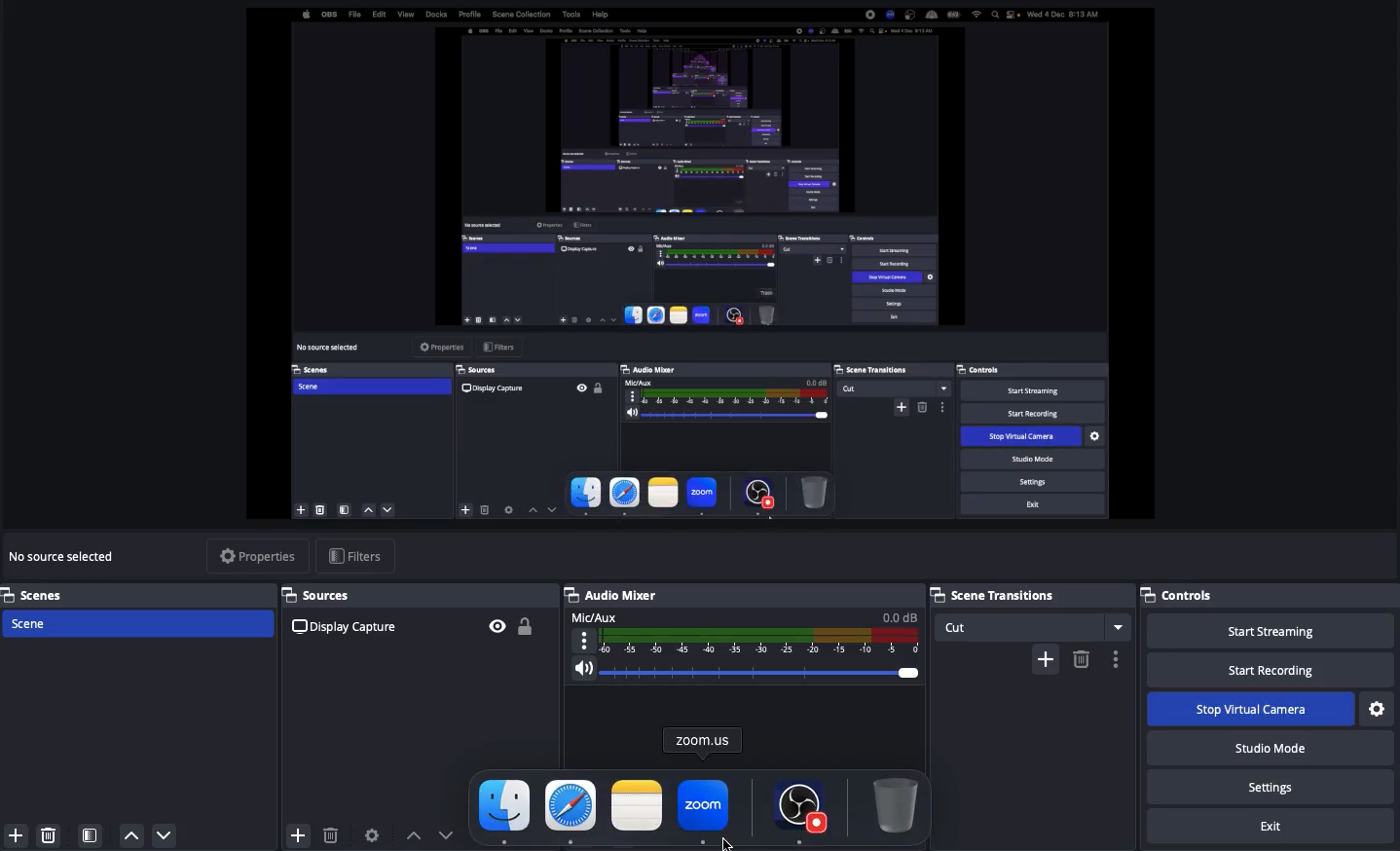 Image resolution: width=1400 pixels, height=851 pixels. I want to click on Stop virtual camera, so click(1251, 710).